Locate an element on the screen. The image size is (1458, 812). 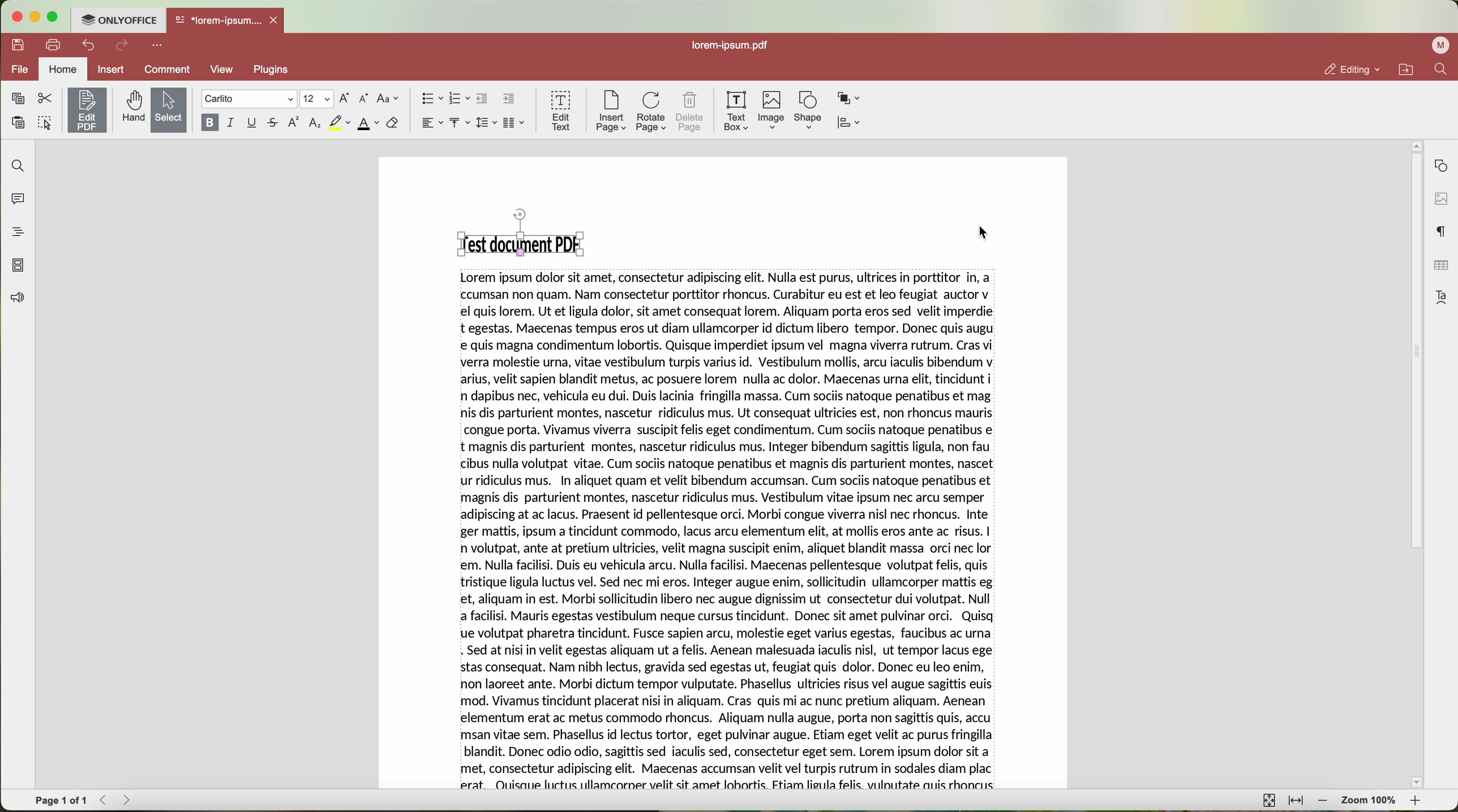
cut is located at coordinates (44, 97).